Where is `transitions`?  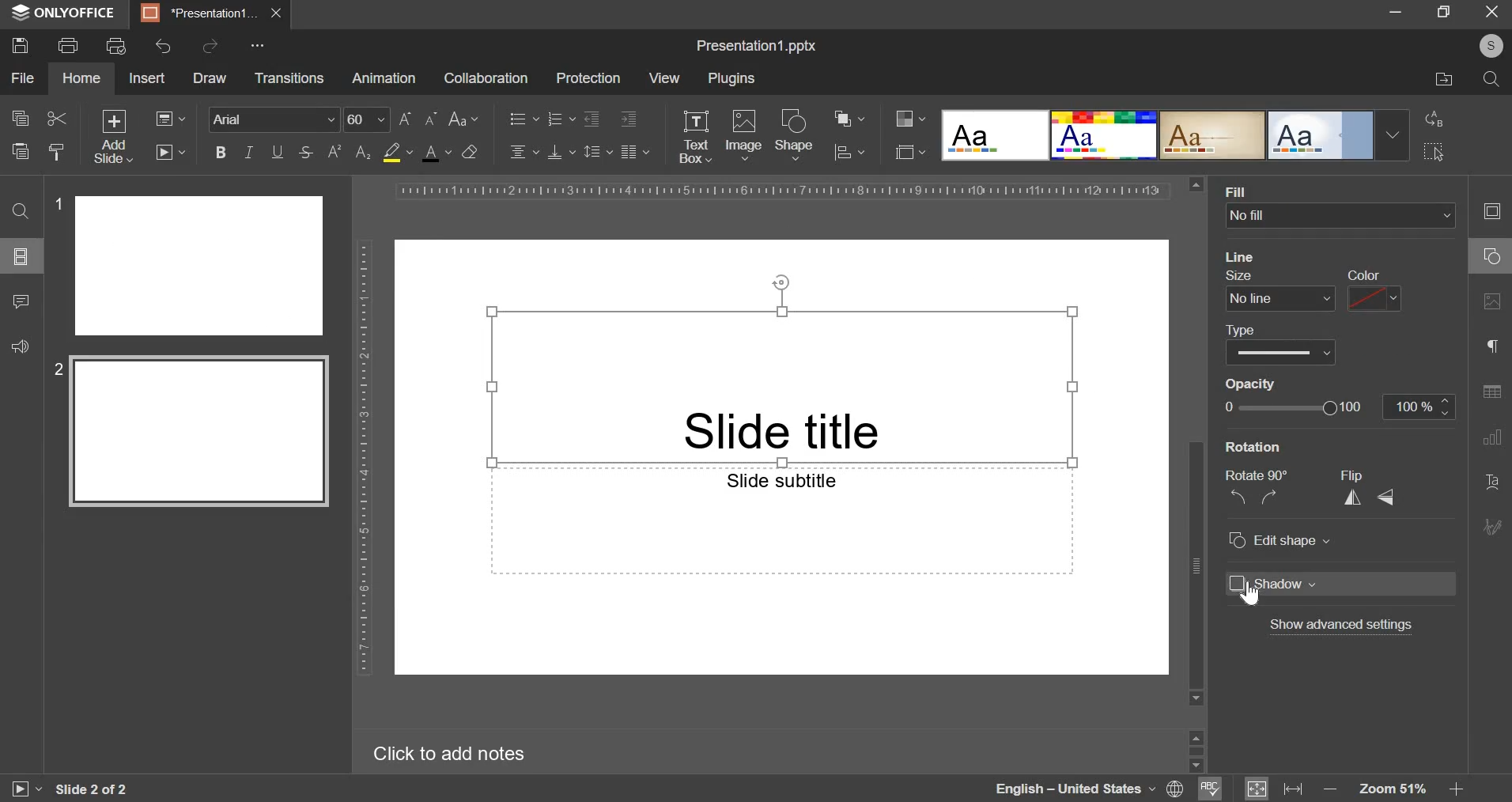
transitions is located at coordinates (289, 79).